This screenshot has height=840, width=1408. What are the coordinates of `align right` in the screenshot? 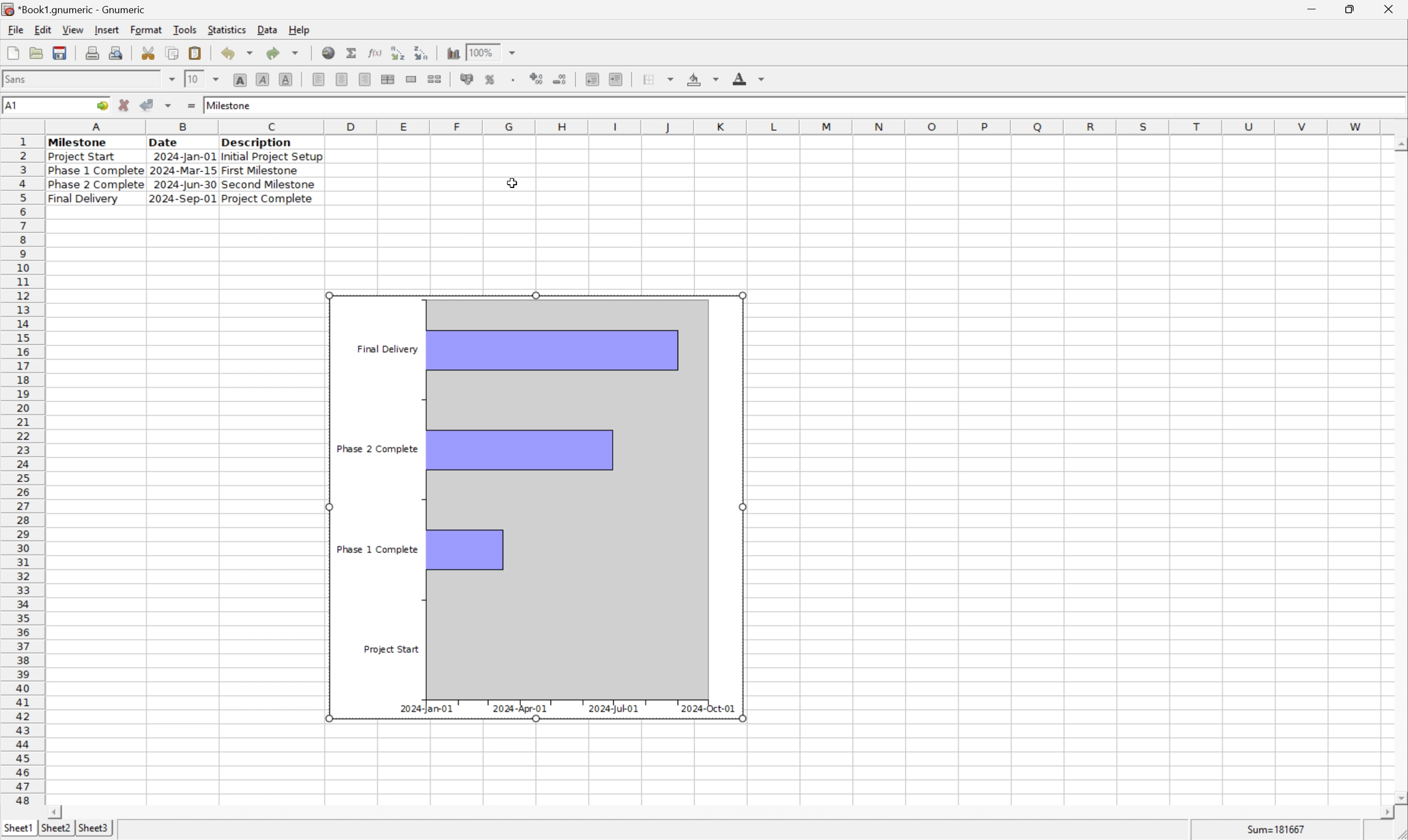 It's located at (363, 80).